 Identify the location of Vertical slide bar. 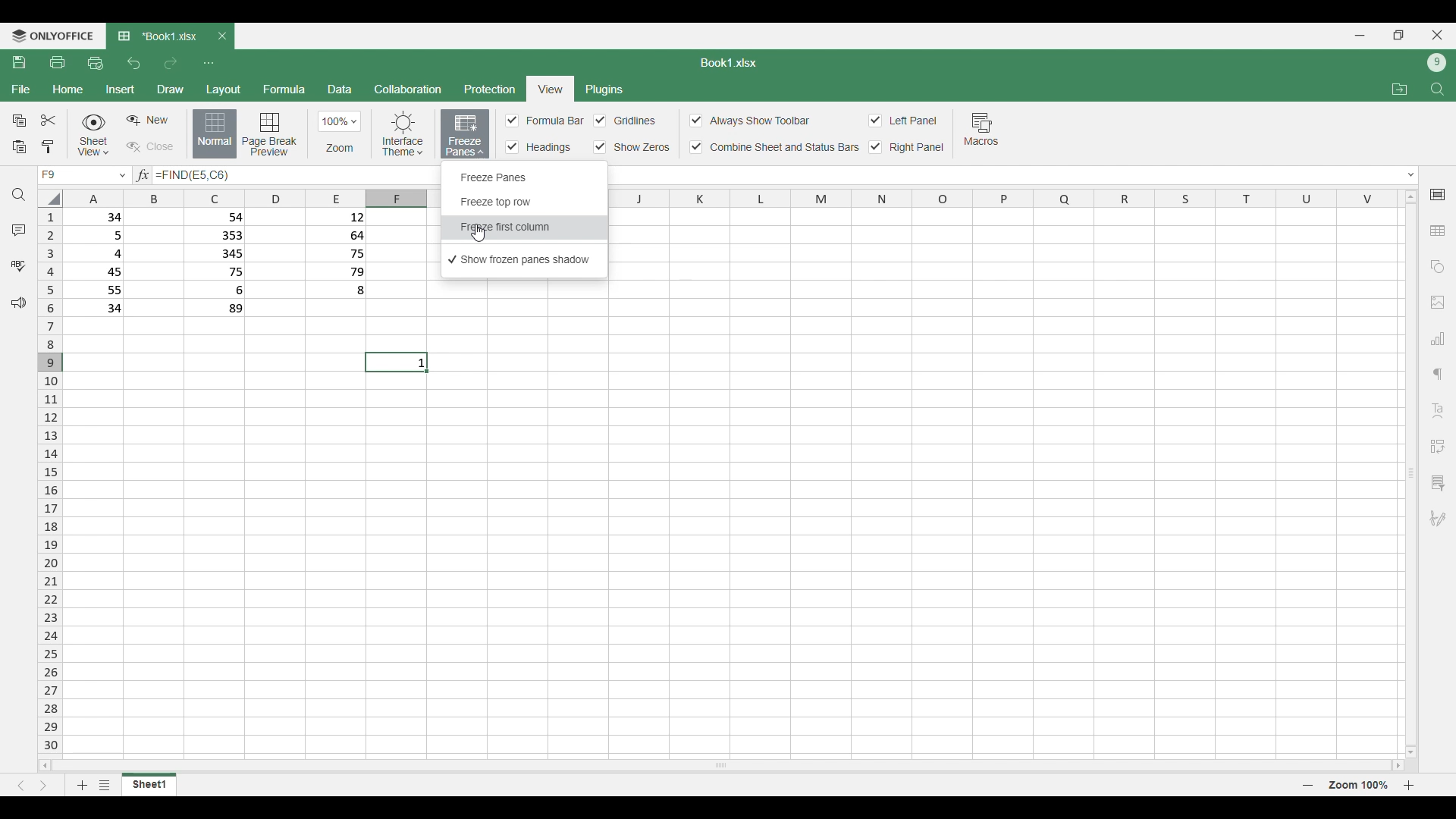
(1410, 469).